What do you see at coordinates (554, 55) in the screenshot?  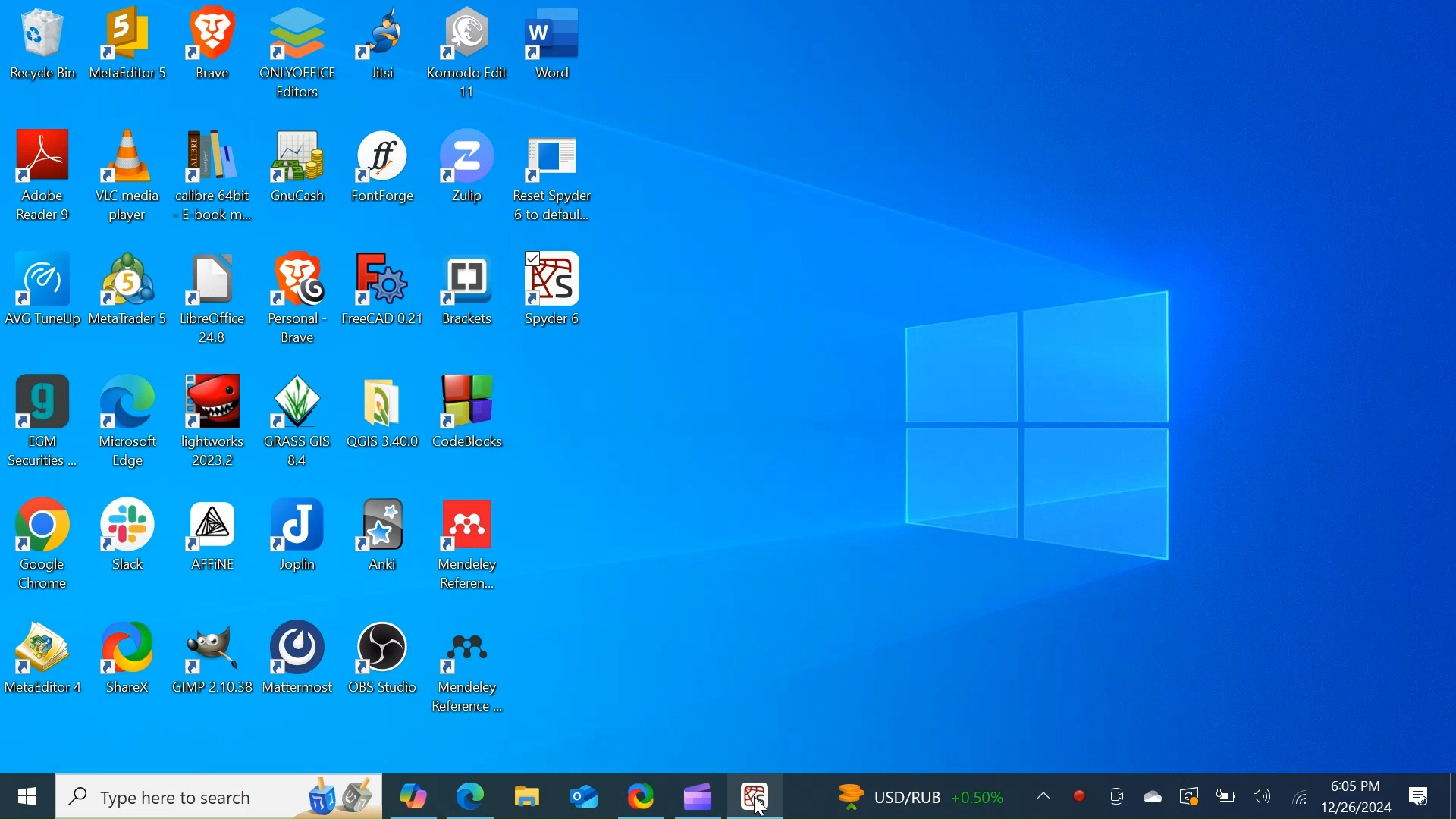 I see `Word Desktop Icon` at bounding box center [554, 55].